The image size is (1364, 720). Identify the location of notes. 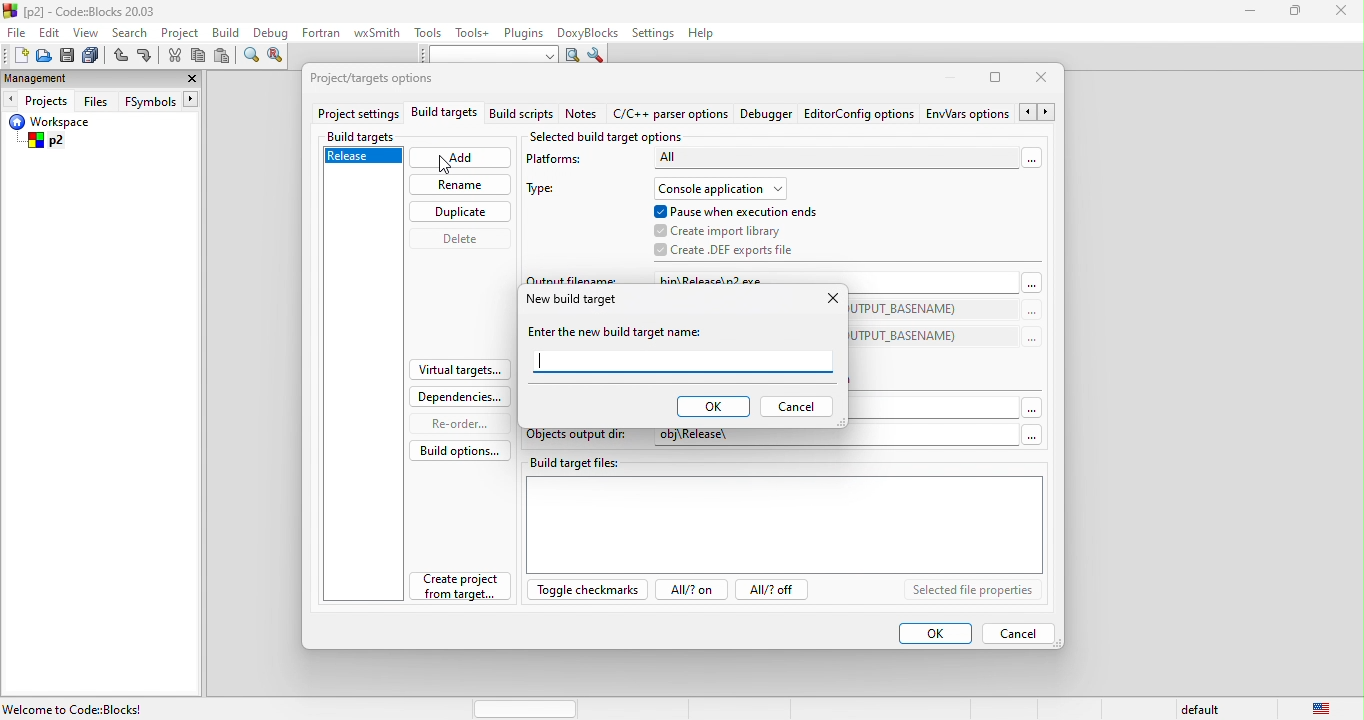
(582, 113).